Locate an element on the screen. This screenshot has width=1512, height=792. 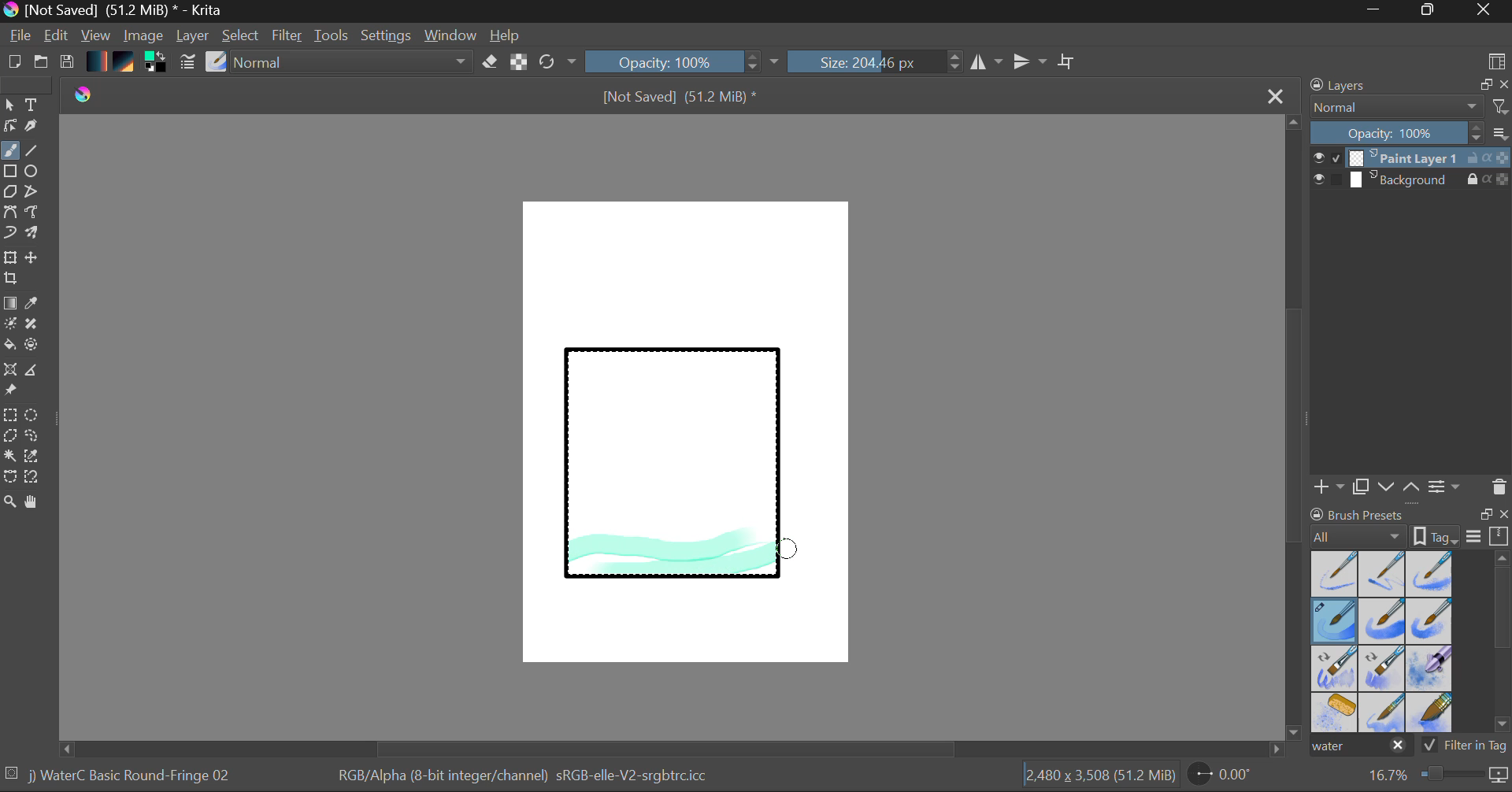
Move Layer Down is located at coordinates (1388, 487).